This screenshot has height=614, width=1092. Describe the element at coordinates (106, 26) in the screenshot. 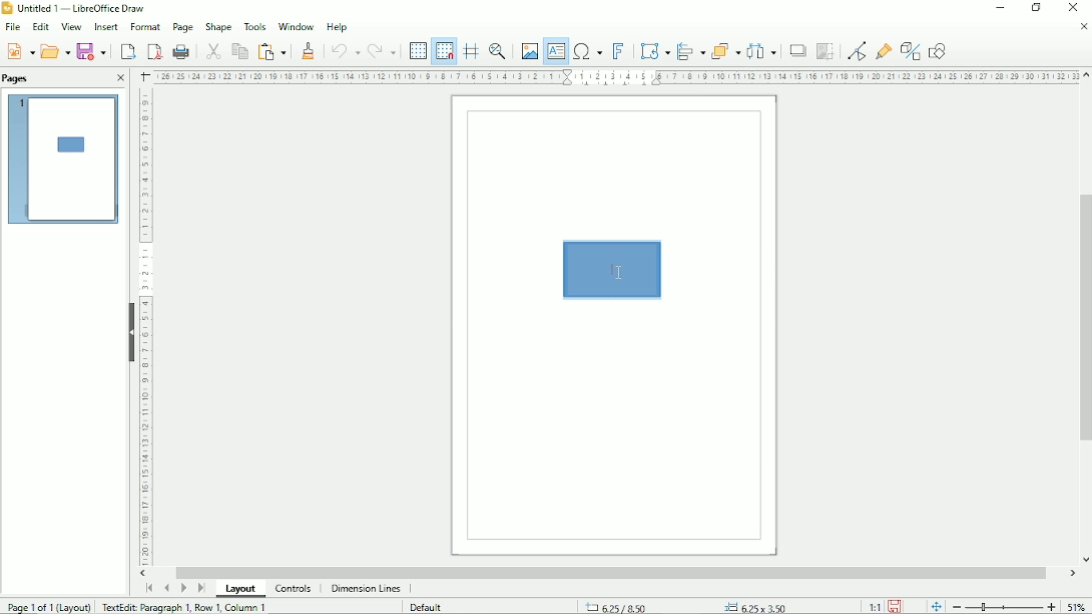

I see `Insert` at that location.